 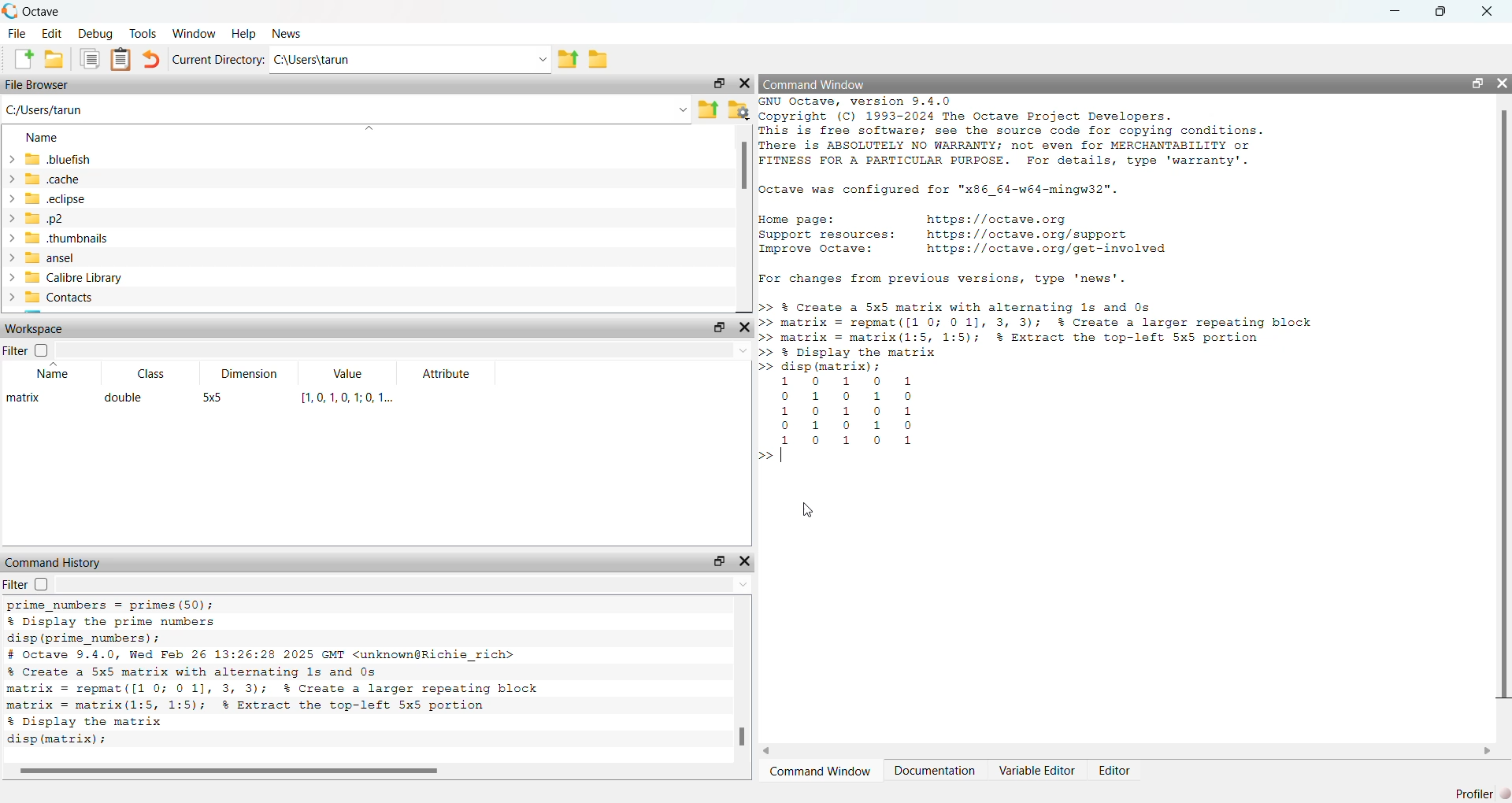 I want to click on Filter, so click(x=27, y=584).